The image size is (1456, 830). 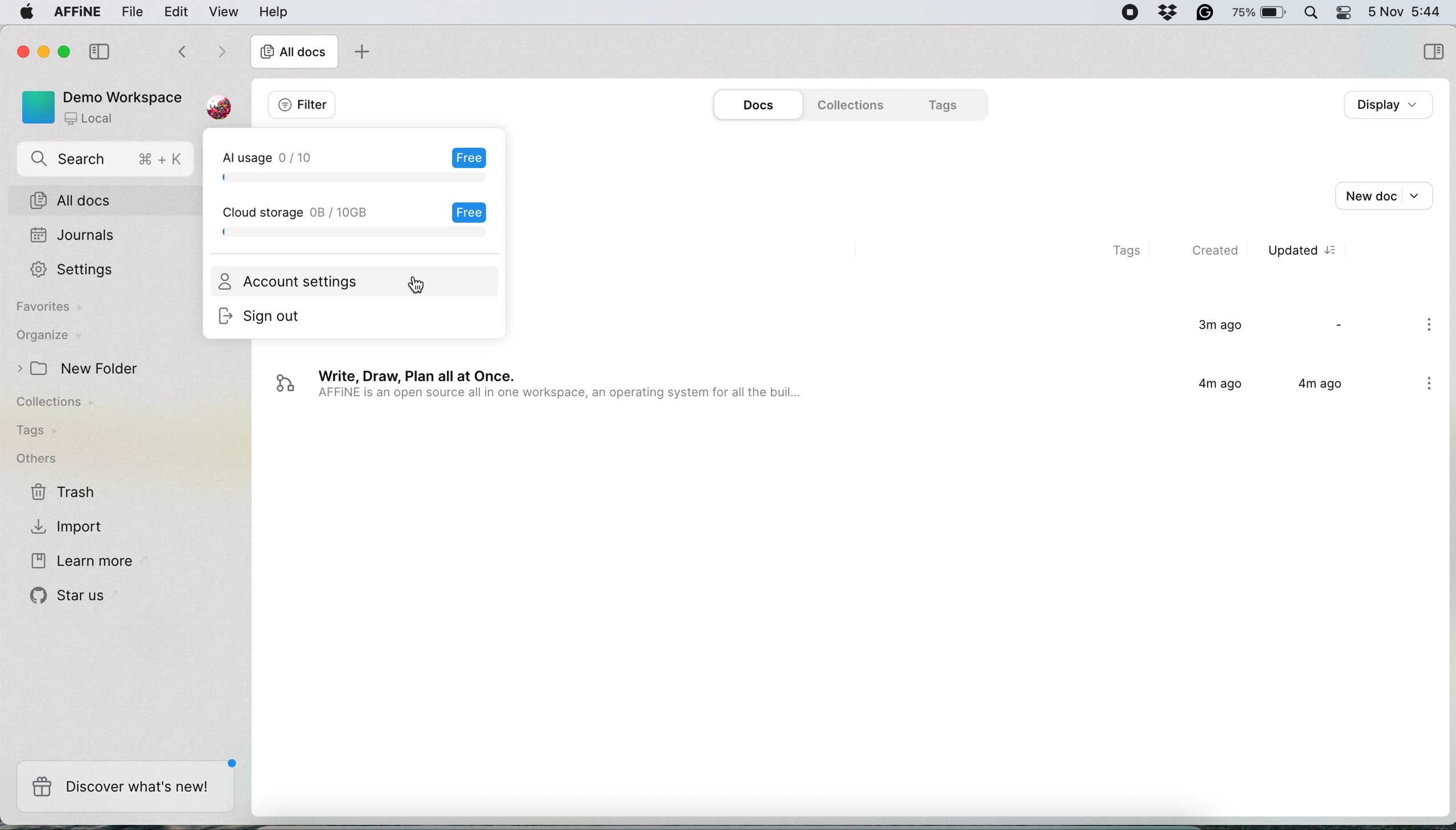 I want to click on search, so click(x=108, y=161).